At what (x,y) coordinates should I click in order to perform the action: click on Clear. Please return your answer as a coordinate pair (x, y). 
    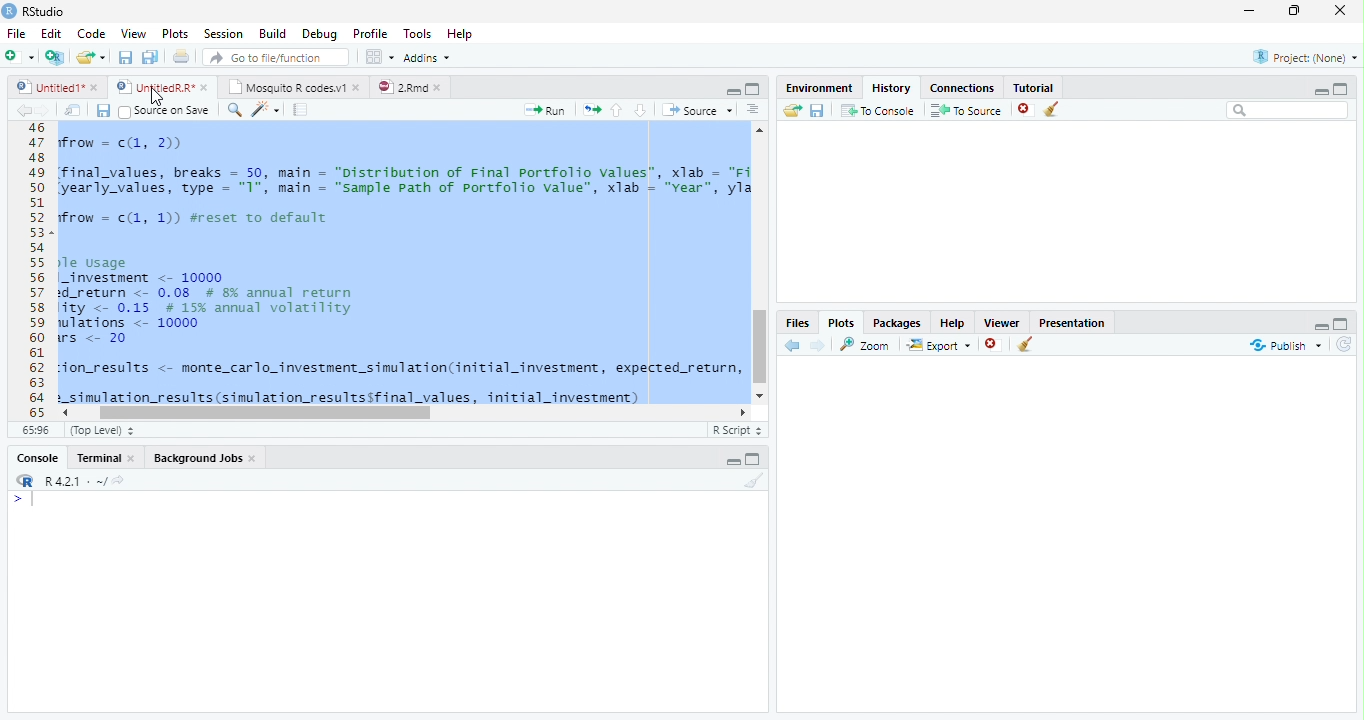
    Looking at the image, I should click on (1026, 346).